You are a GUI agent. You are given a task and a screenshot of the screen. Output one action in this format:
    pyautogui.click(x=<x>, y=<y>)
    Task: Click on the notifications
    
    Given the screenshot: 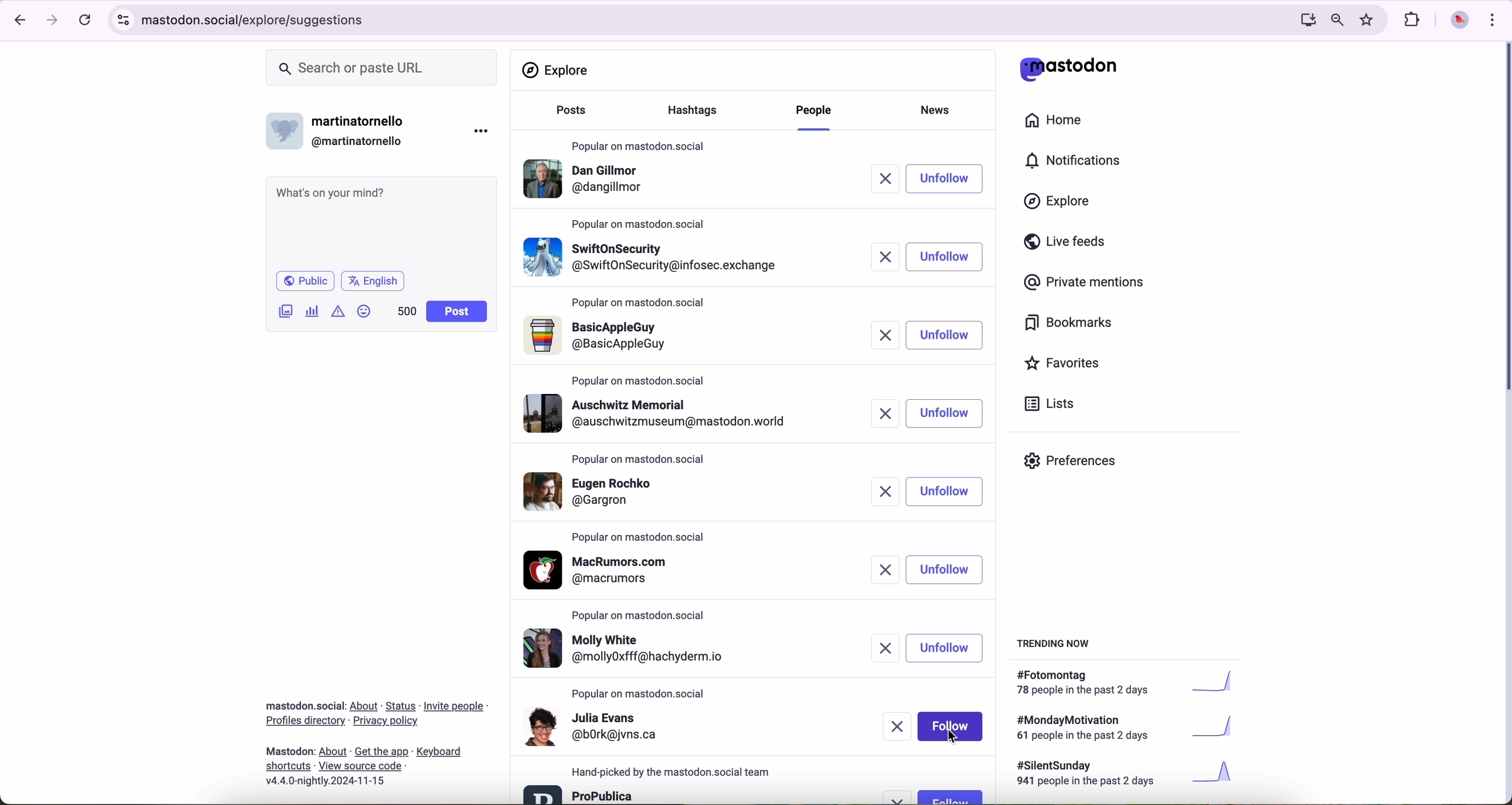 What is the action you would take?
    pyautogui.click(x=1078, y=161)
    